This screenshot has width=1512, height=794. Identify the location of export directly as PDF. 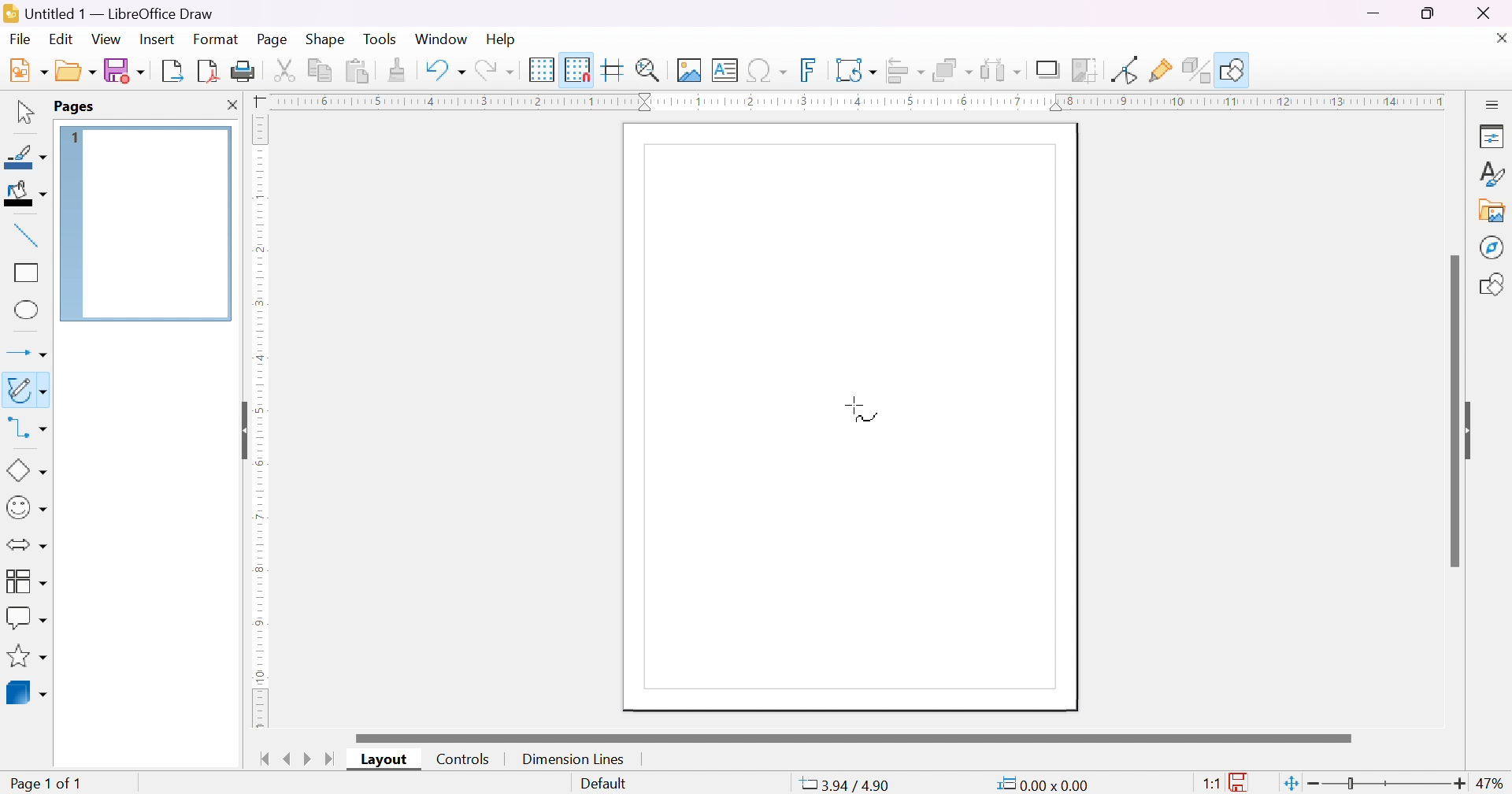
(210, 72).